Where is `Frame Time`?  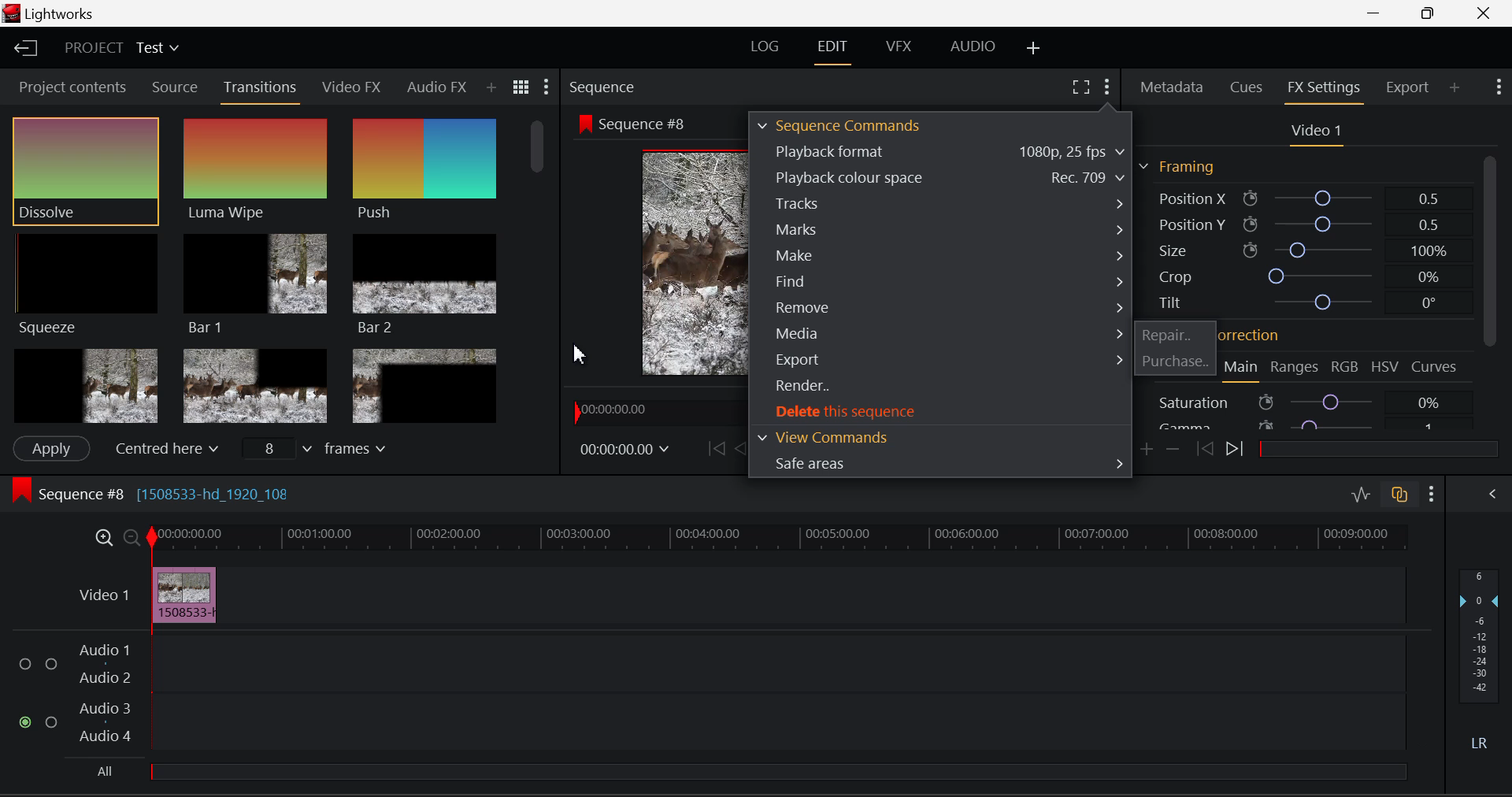 Frame Time is located at coordinates (625, 447).